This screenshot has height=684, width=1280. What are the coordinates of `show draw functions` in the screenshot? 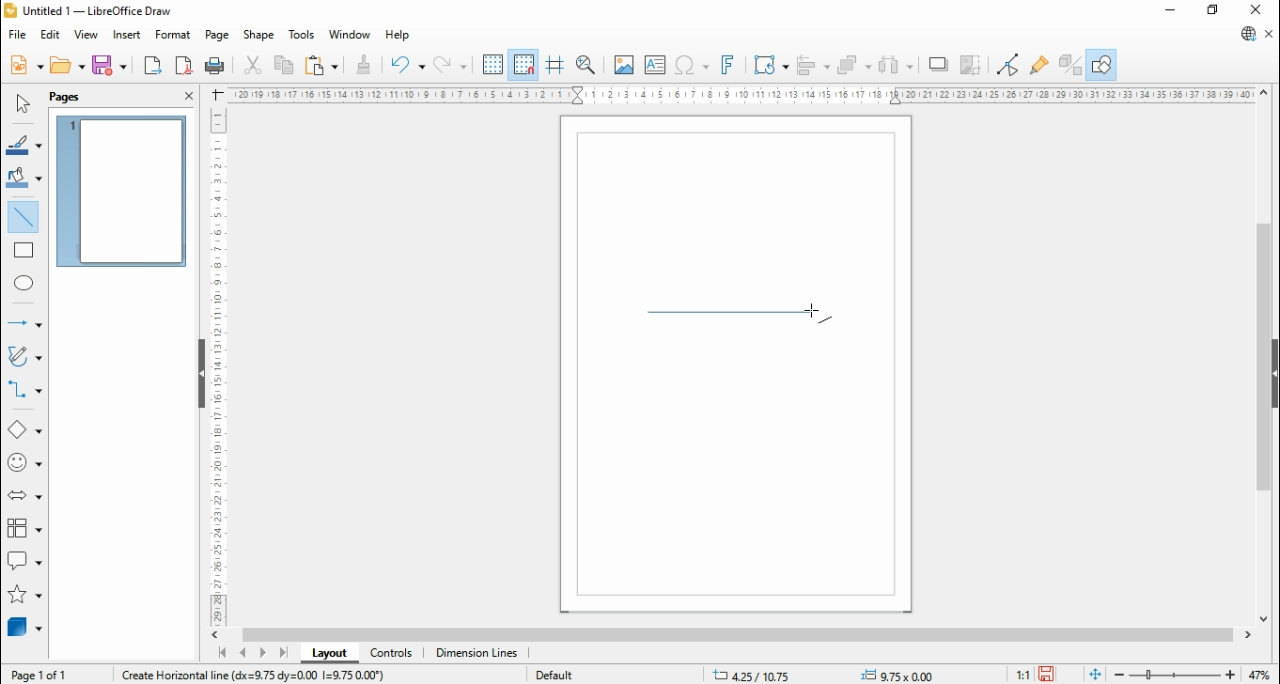 It's located at (1103, 64).